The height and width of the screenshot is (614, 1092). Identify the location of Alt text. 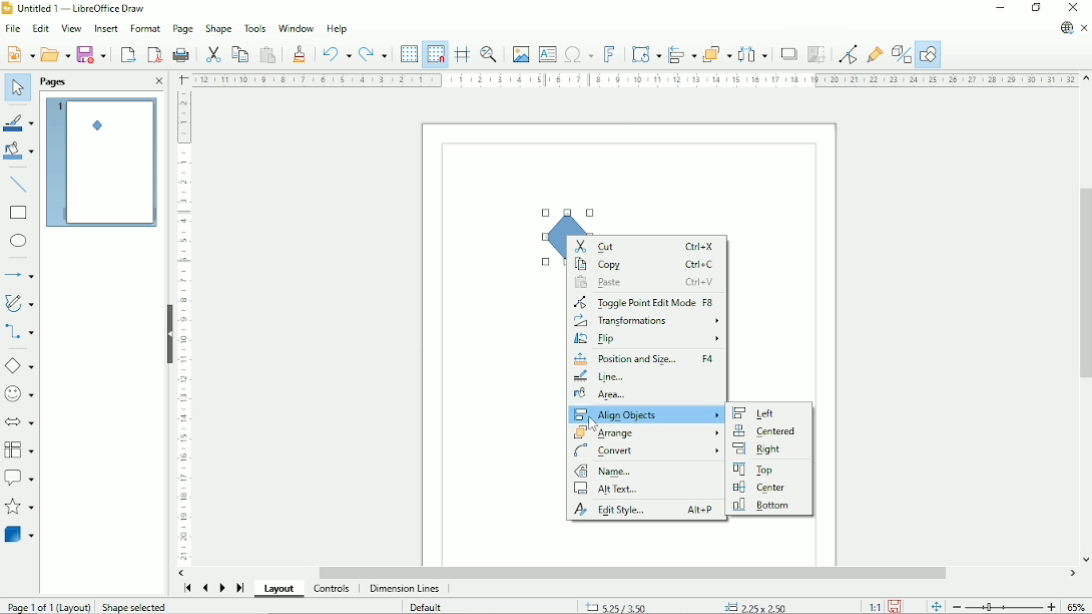
(611, 489).